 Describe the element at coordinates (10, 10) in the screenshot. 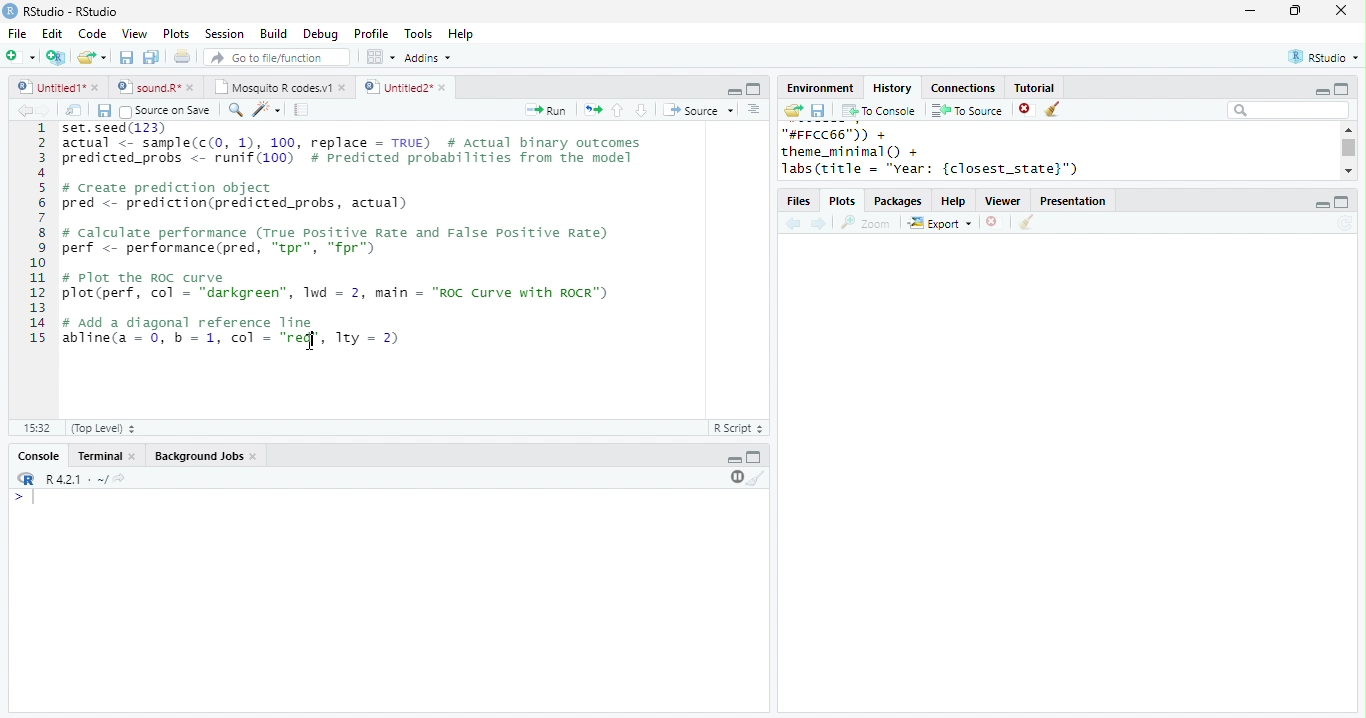

I see `logo` at that location.